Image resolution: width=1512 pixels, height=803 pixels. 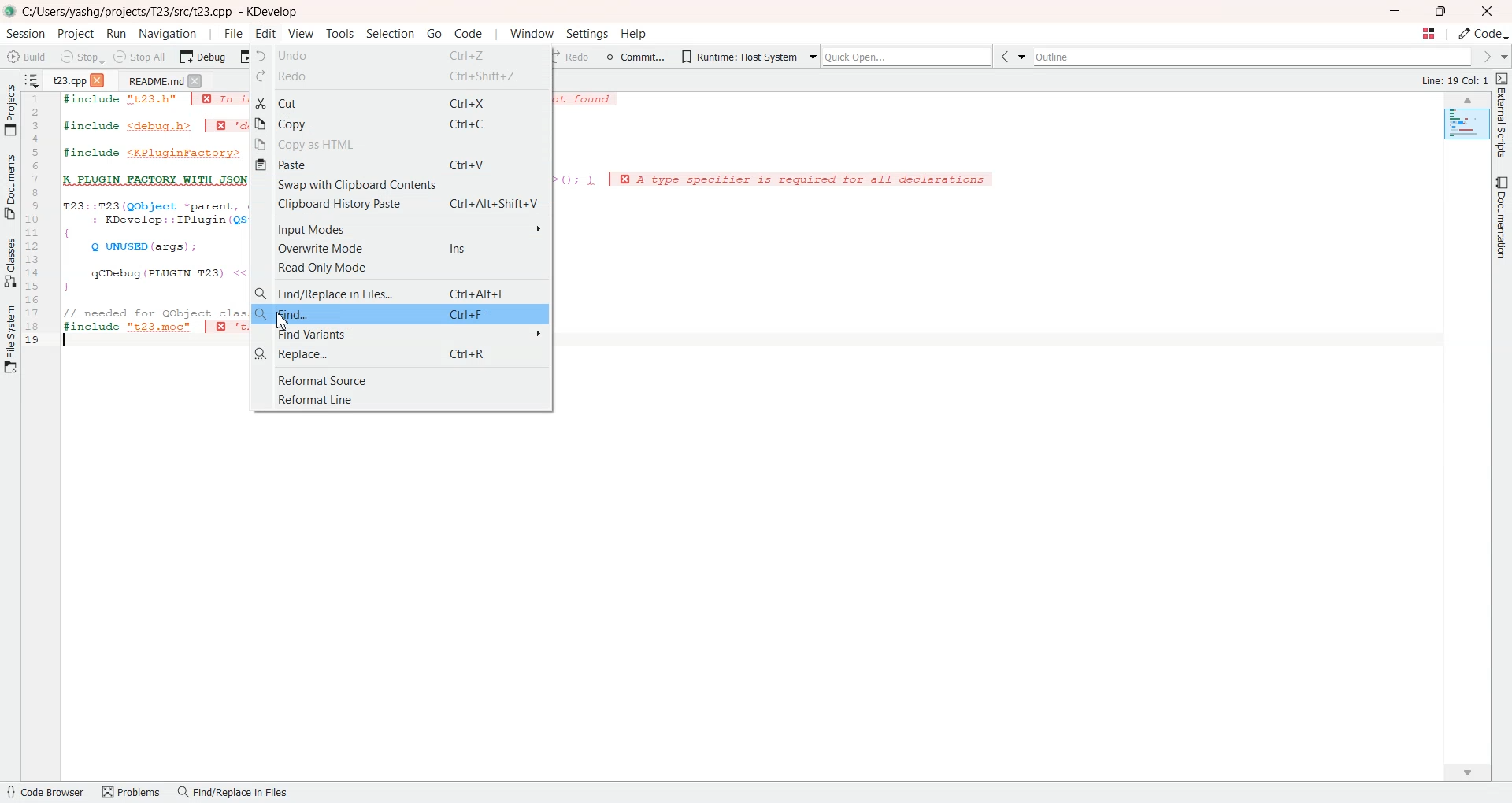 I want to click on t23,cpp folder, so click(x=70, y=79).